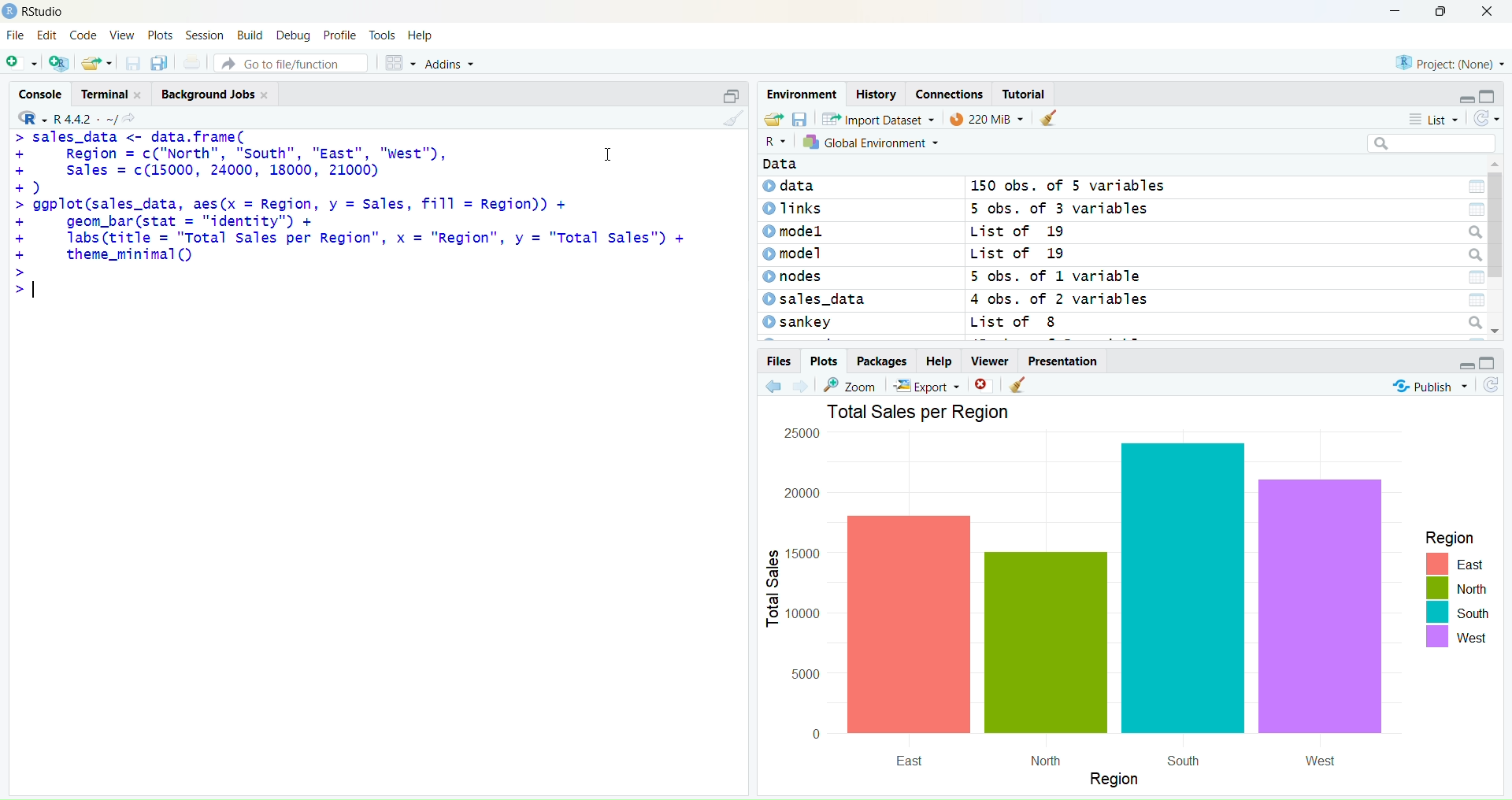  What do you see at coordinates (824, 361) in the screenshot?
I see `Plots` at bounding box center [824, 361].